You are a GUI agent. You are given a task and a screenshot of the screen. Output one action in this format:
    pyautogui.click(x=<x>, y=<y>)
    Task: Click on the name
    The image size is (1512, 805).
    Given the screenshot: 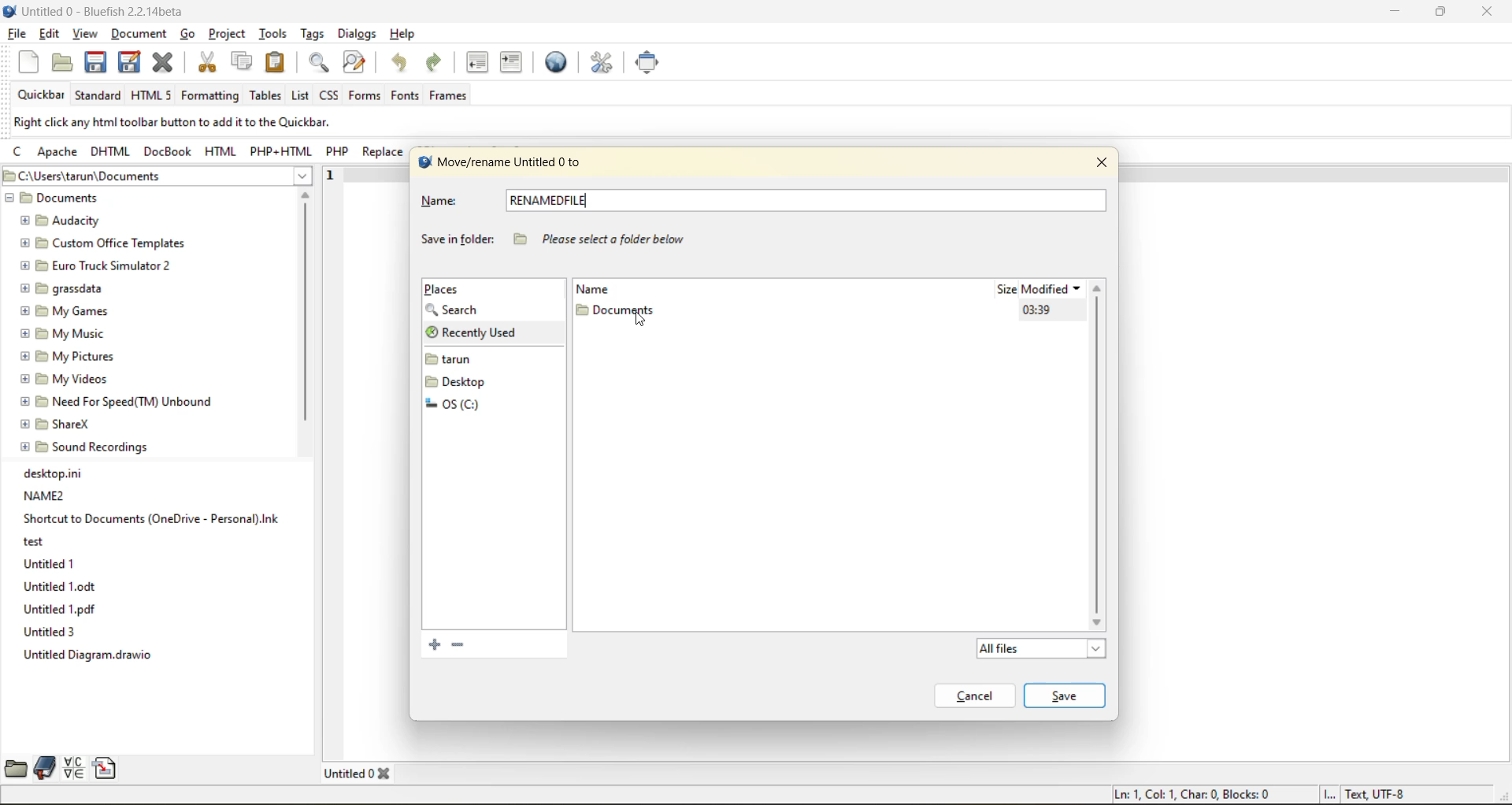 What is the action you would take?
    pyautogui.click(x=603, y=288)
    